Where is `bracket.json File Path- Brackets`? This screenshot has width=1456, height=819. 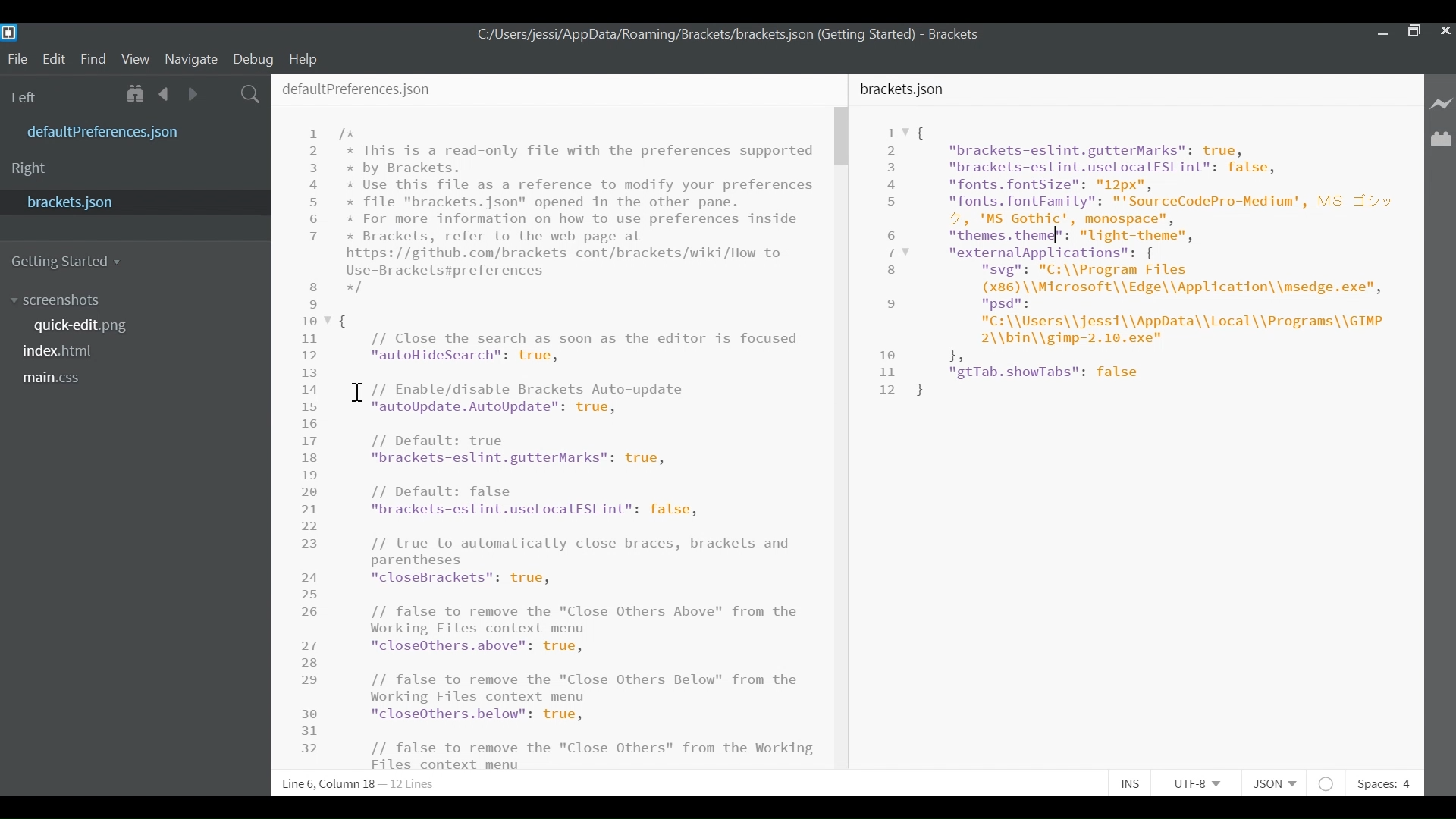 bracket.json File Path- Brackets is located at coordinates (733, 35).